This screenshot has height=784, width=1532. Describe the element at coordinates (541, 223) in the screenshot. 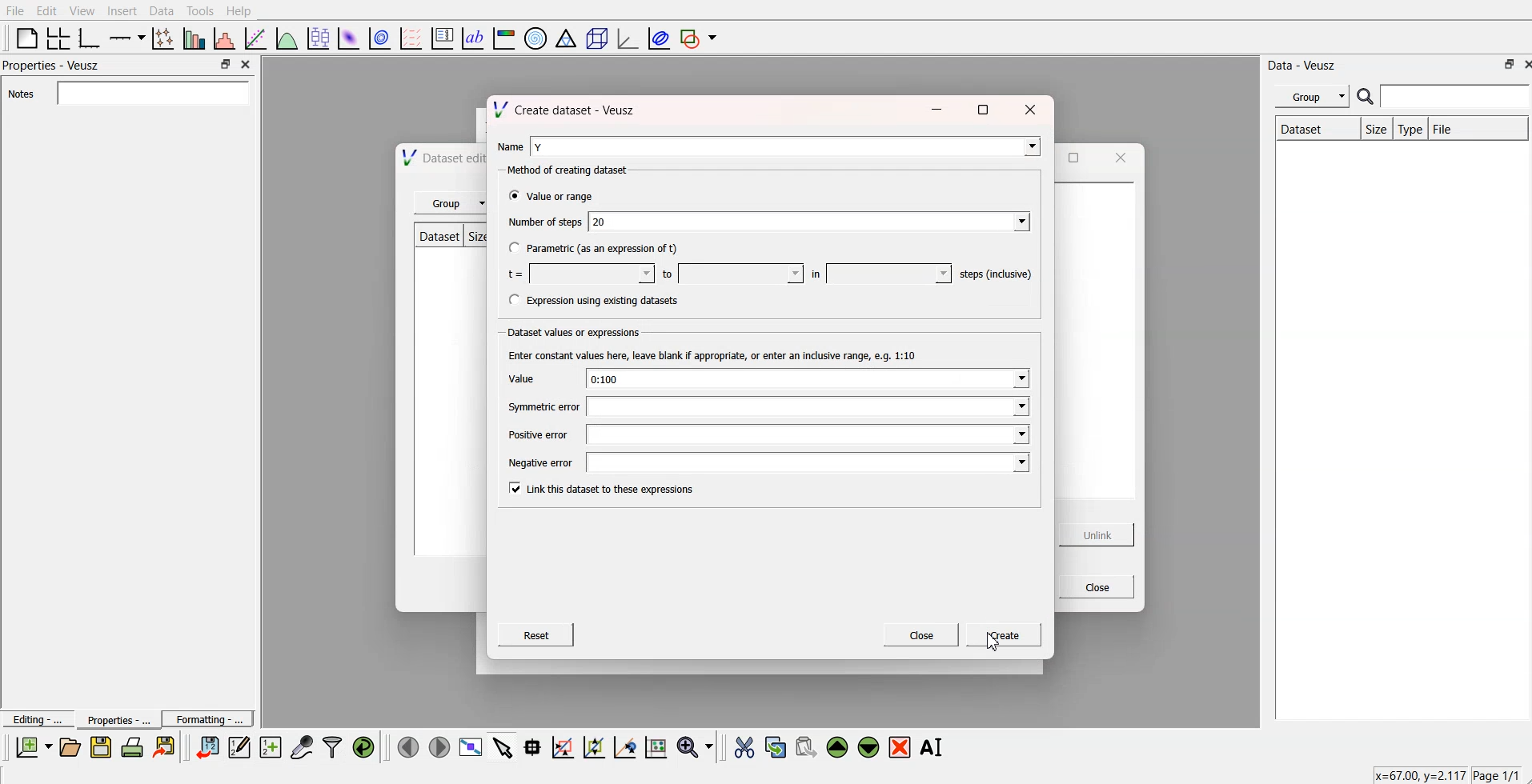

I see `Number of steps.` at that location.